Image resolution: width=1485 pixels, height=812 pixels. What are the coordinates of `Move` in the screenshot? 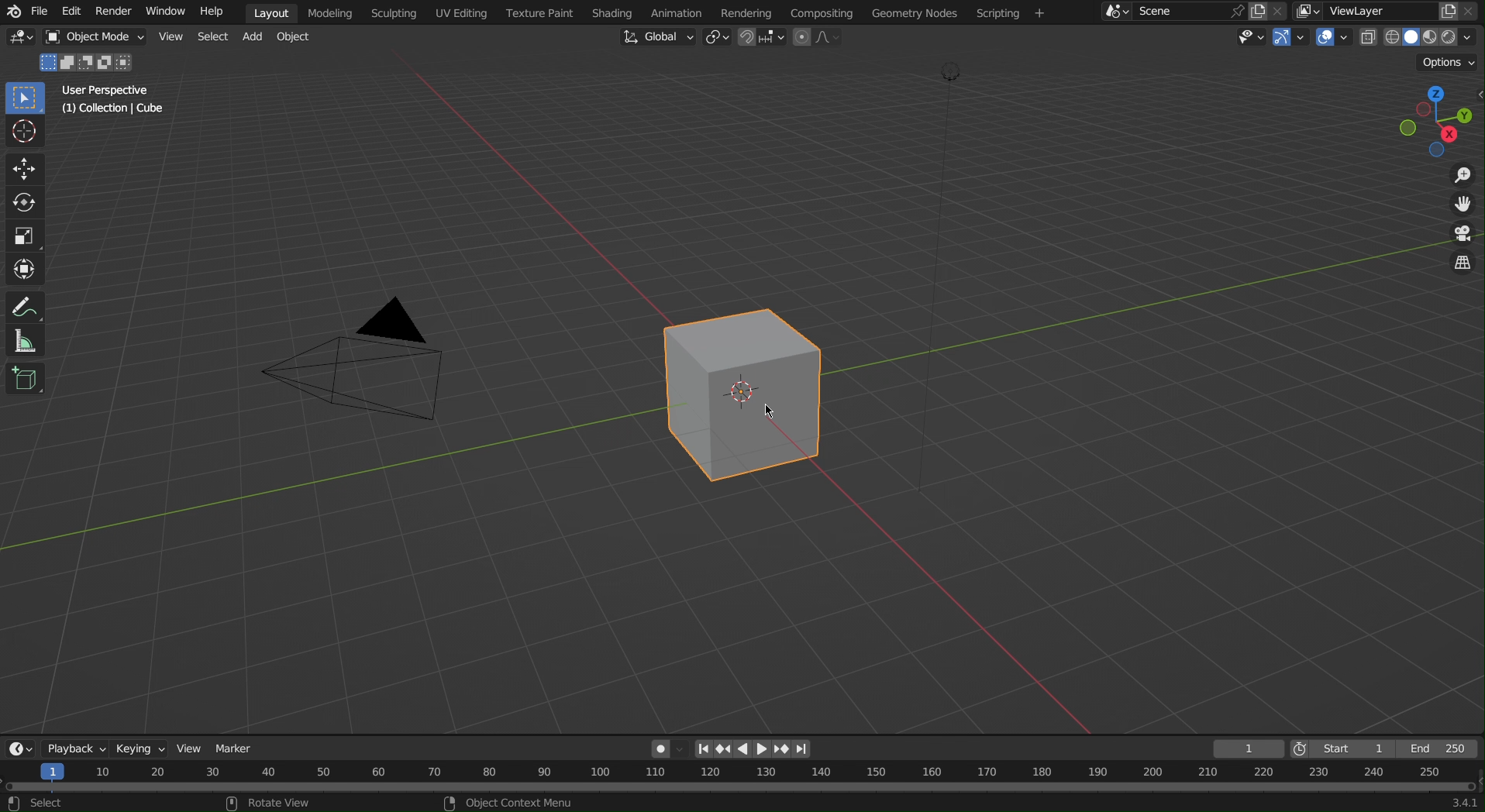 It's located at (24, 170).